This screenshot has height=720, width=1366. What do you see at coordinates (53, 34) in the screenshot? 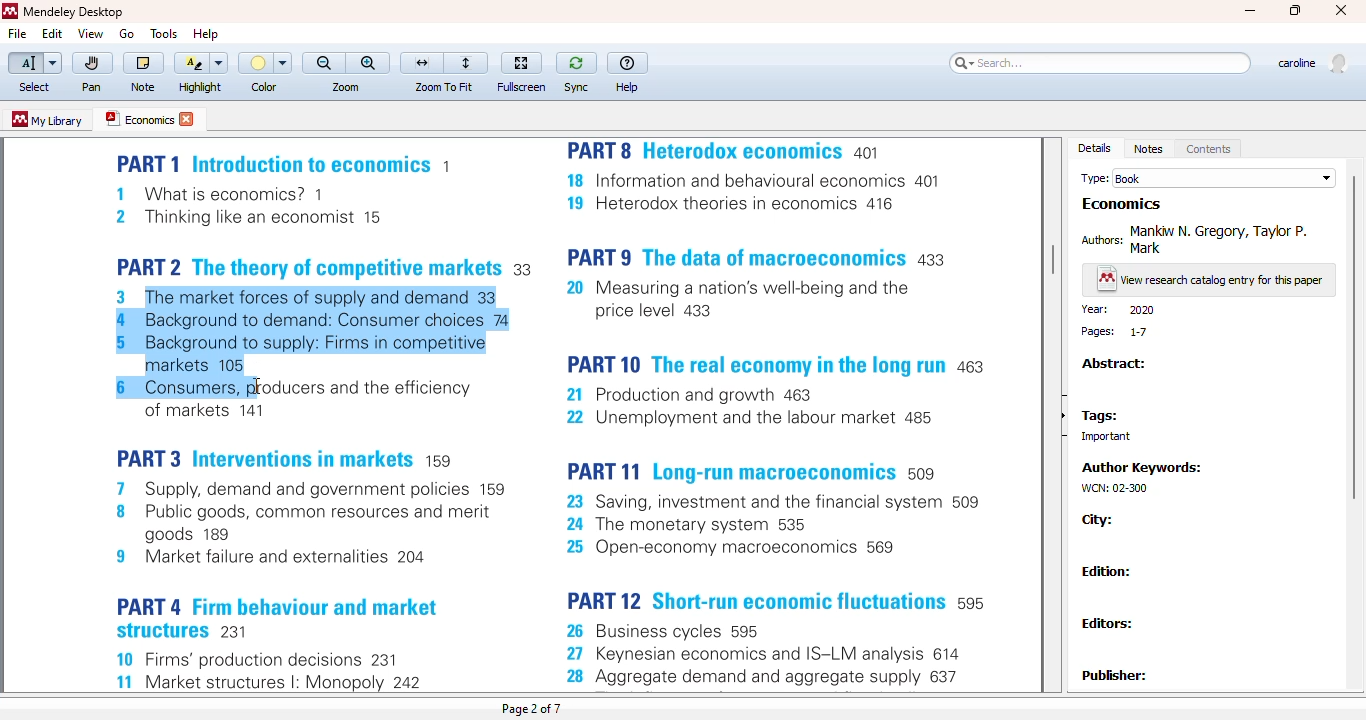
I see `edit` at bounding box center [53, 34].